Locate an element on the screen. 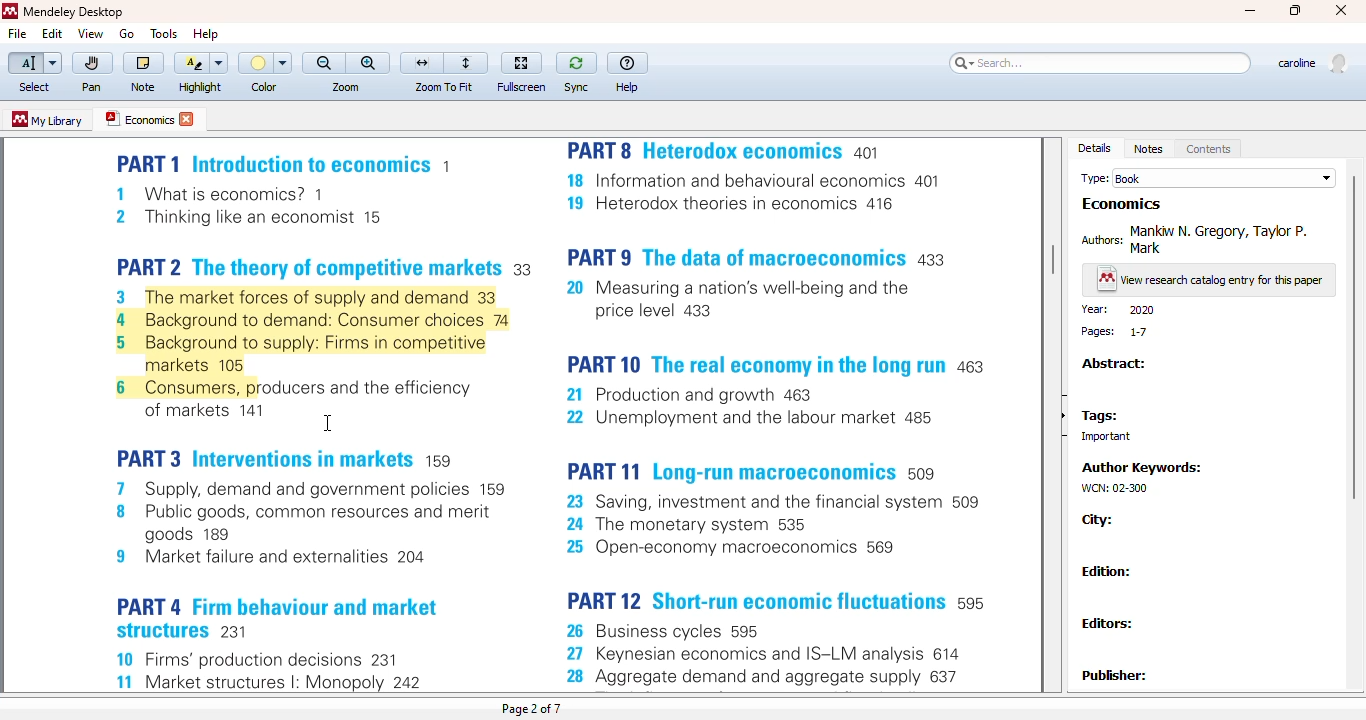  year: 2020 is located at coordinates (1118, 310).